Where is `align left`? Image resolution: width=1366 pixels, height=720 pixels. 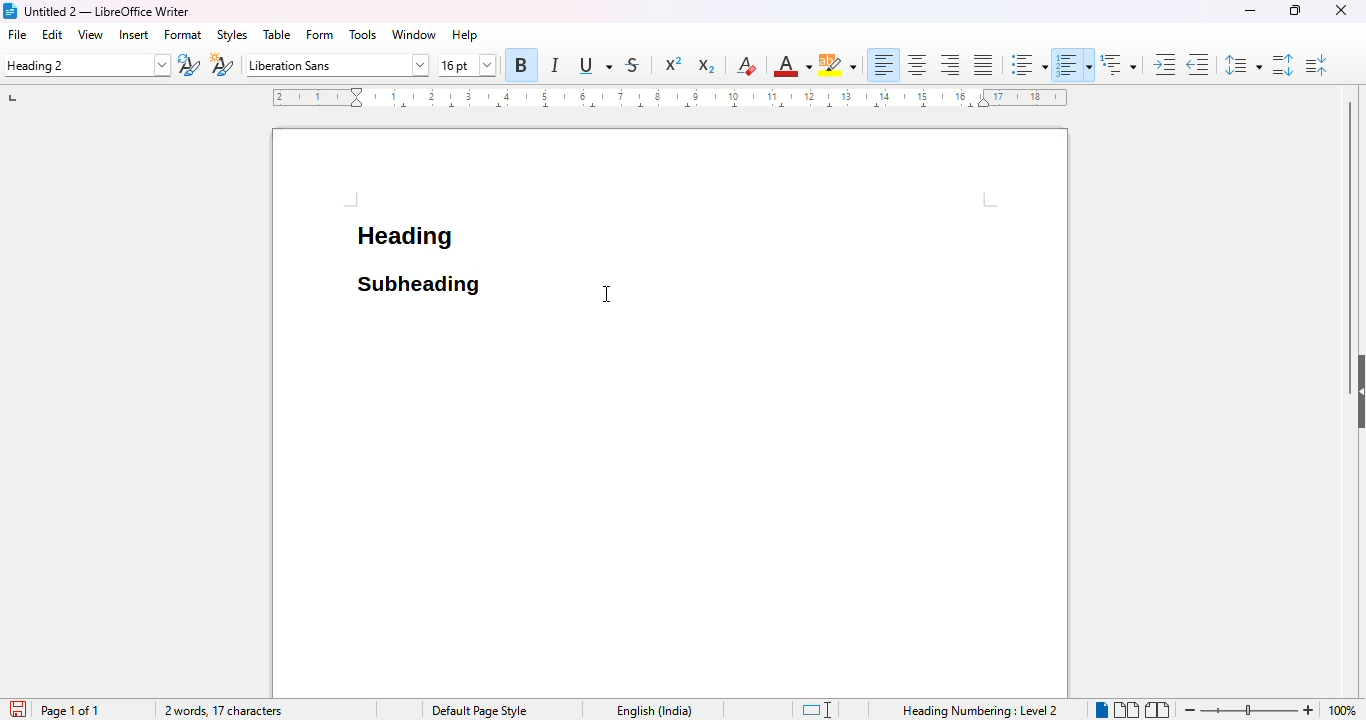 align left is located at coordinates (884, 65).